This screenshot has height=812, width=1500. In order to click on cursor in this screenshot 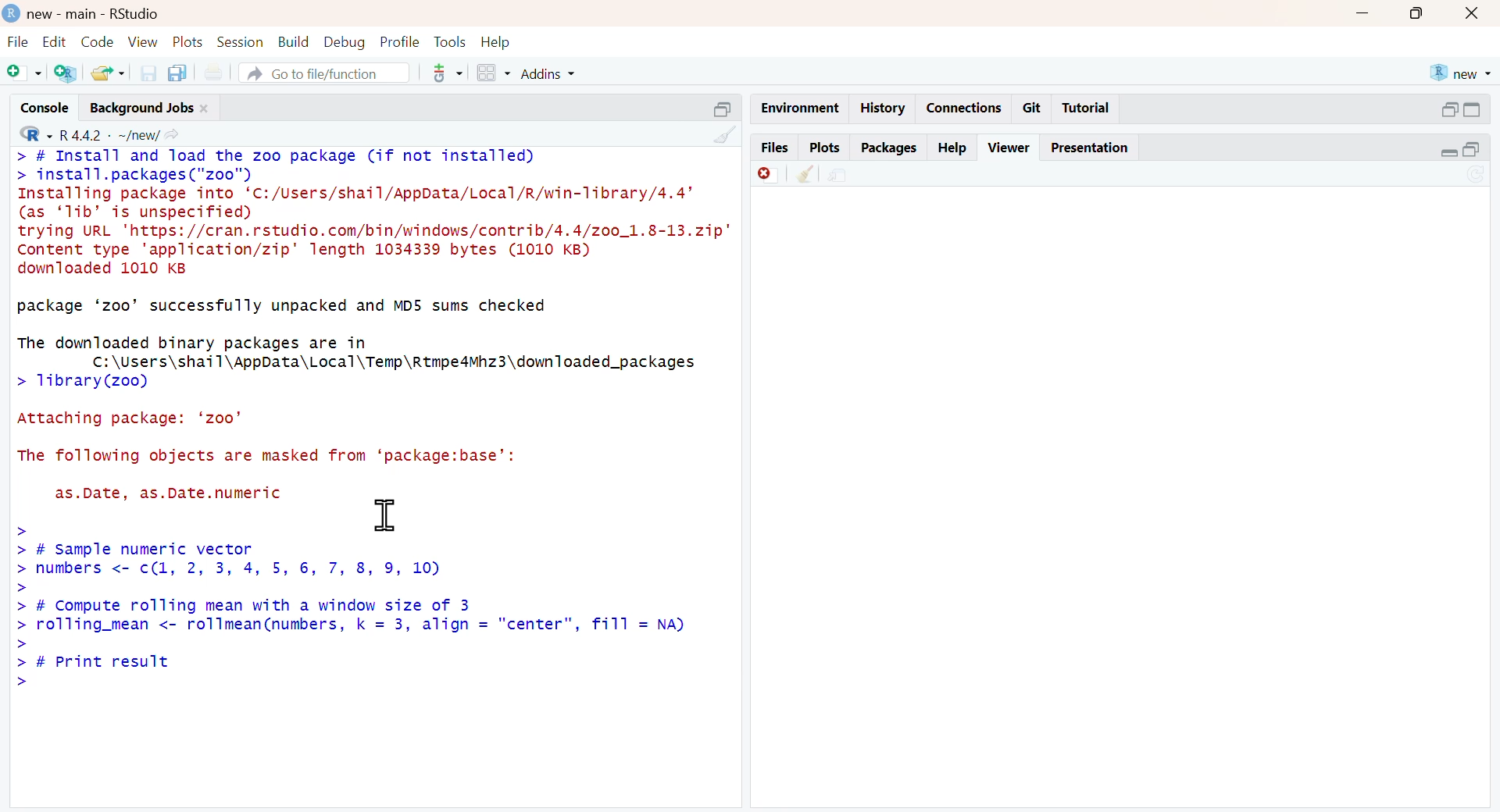, I will do `click(389, 515)`.